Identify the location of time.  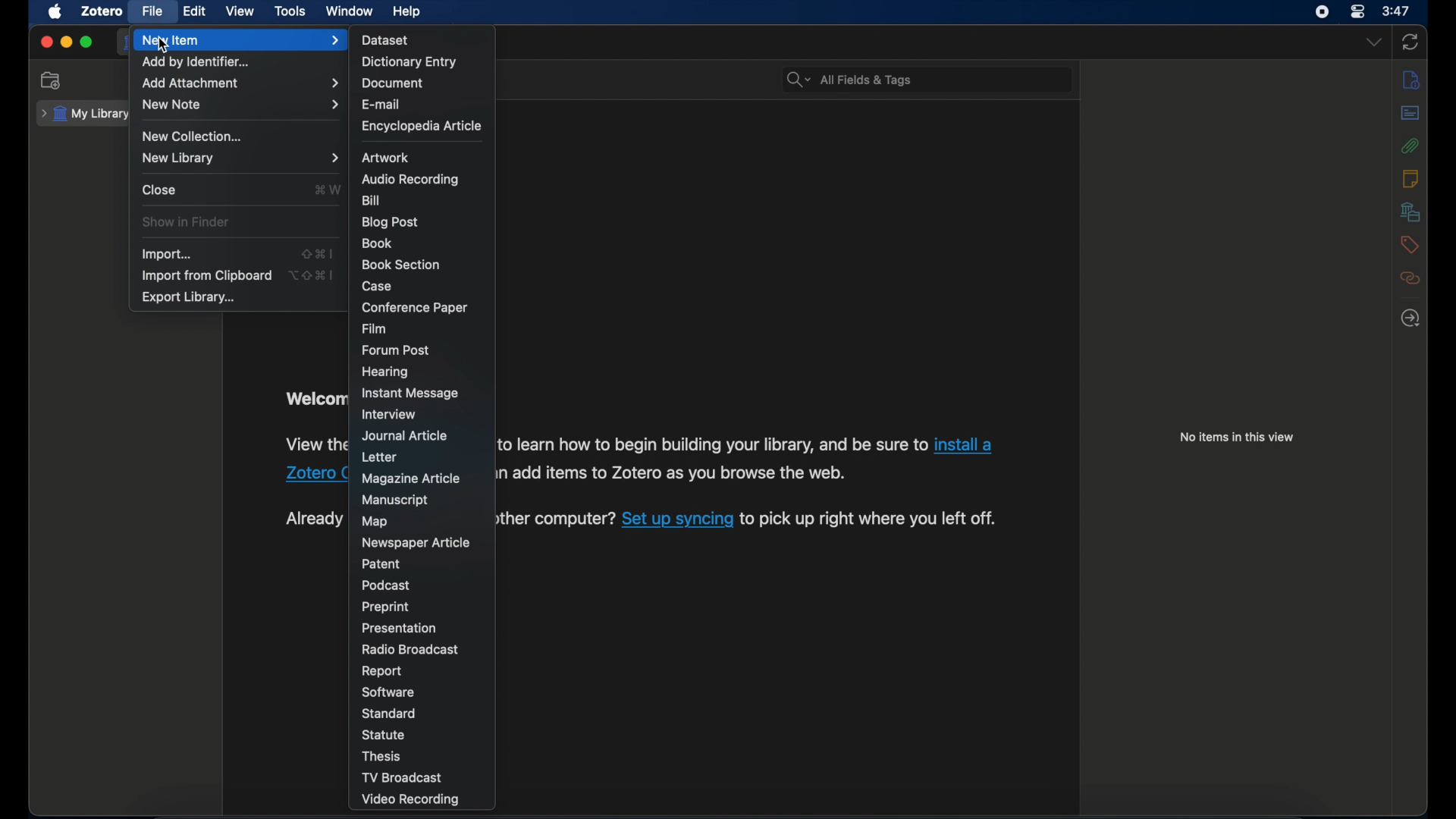
(1397, 10).